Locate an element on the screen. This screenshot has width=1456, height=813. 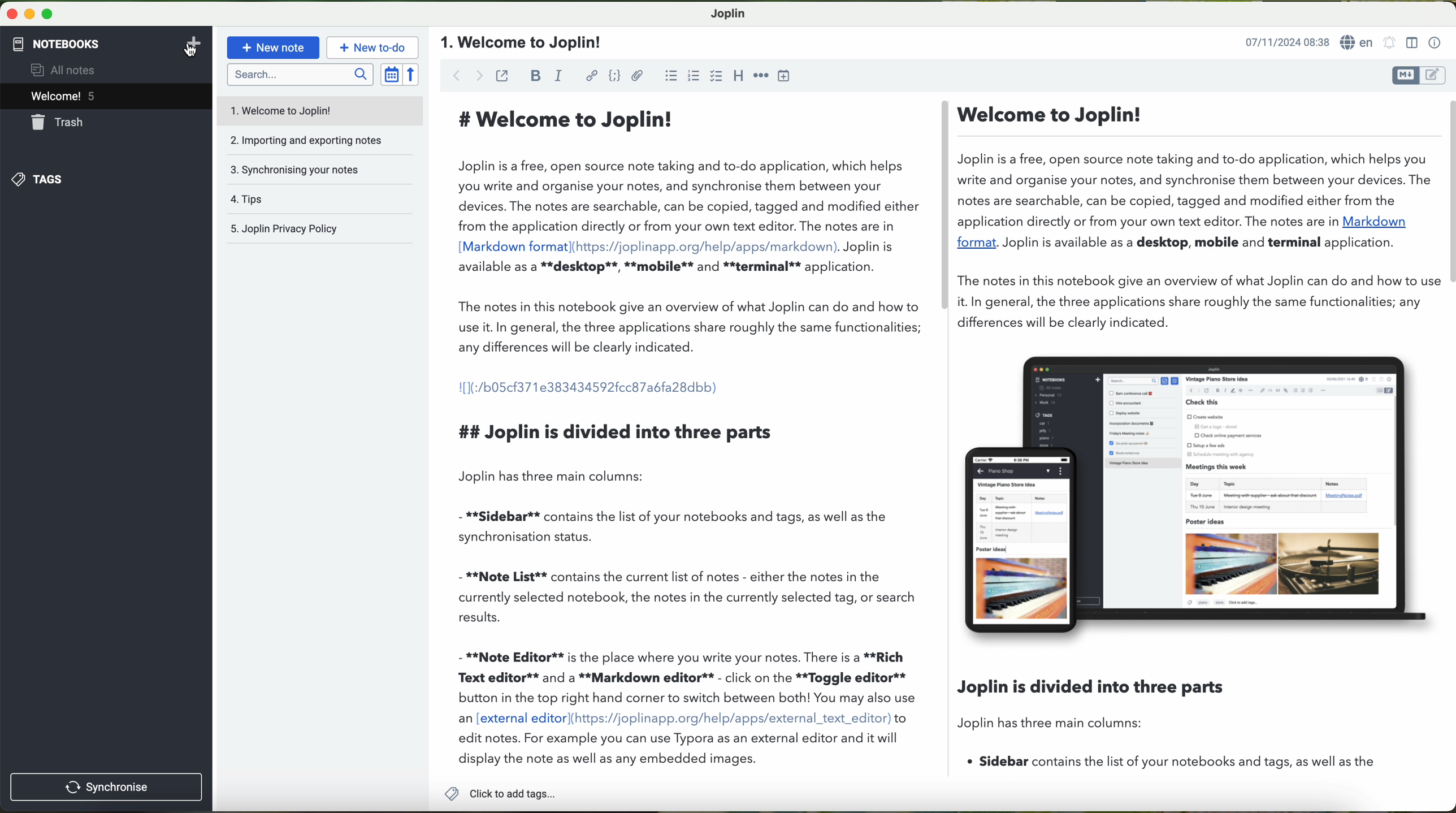
toggle editors is located at coordinates (1419, 76).